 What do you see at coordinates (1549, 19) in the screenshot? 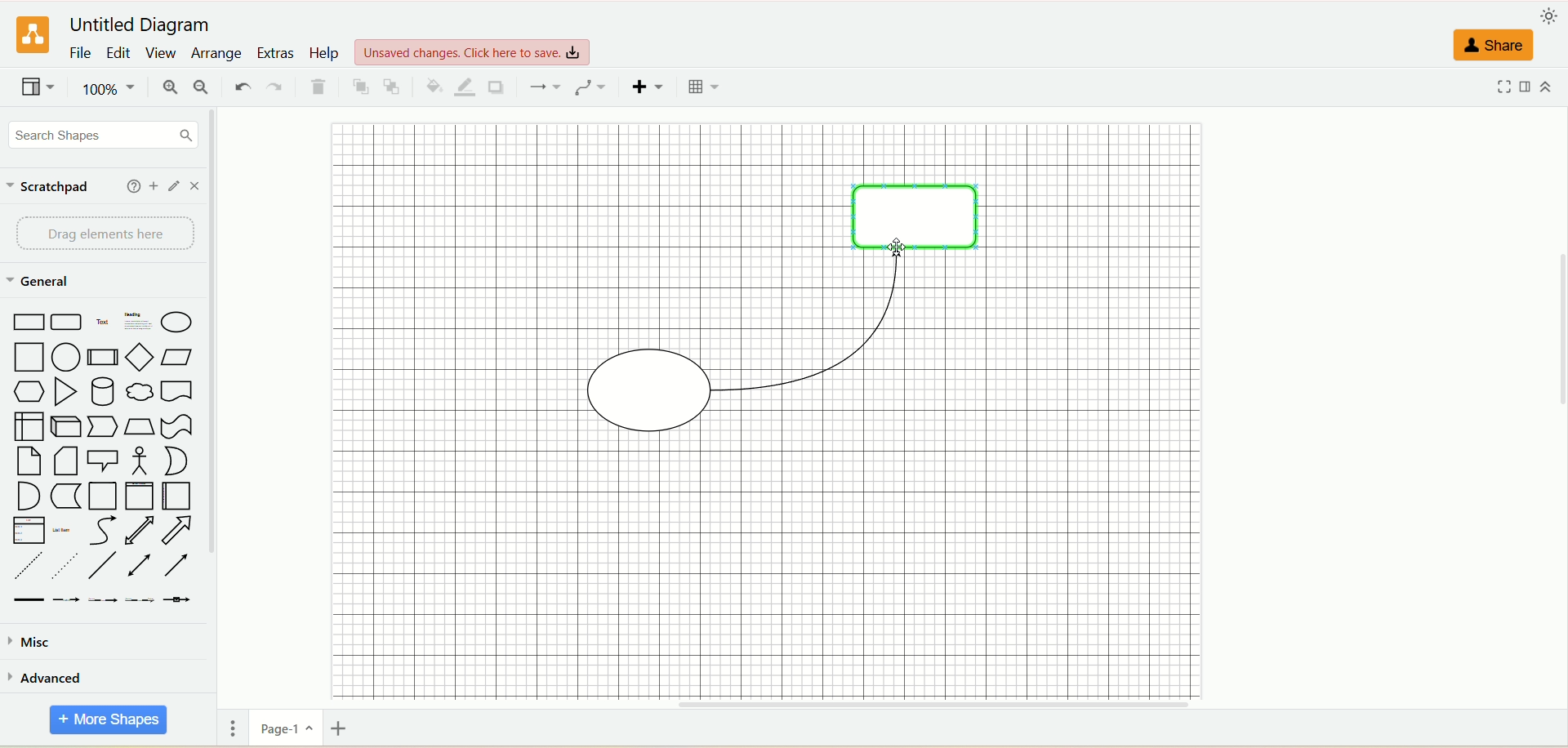
I see `appearance` at bounding box center [1549, 19].